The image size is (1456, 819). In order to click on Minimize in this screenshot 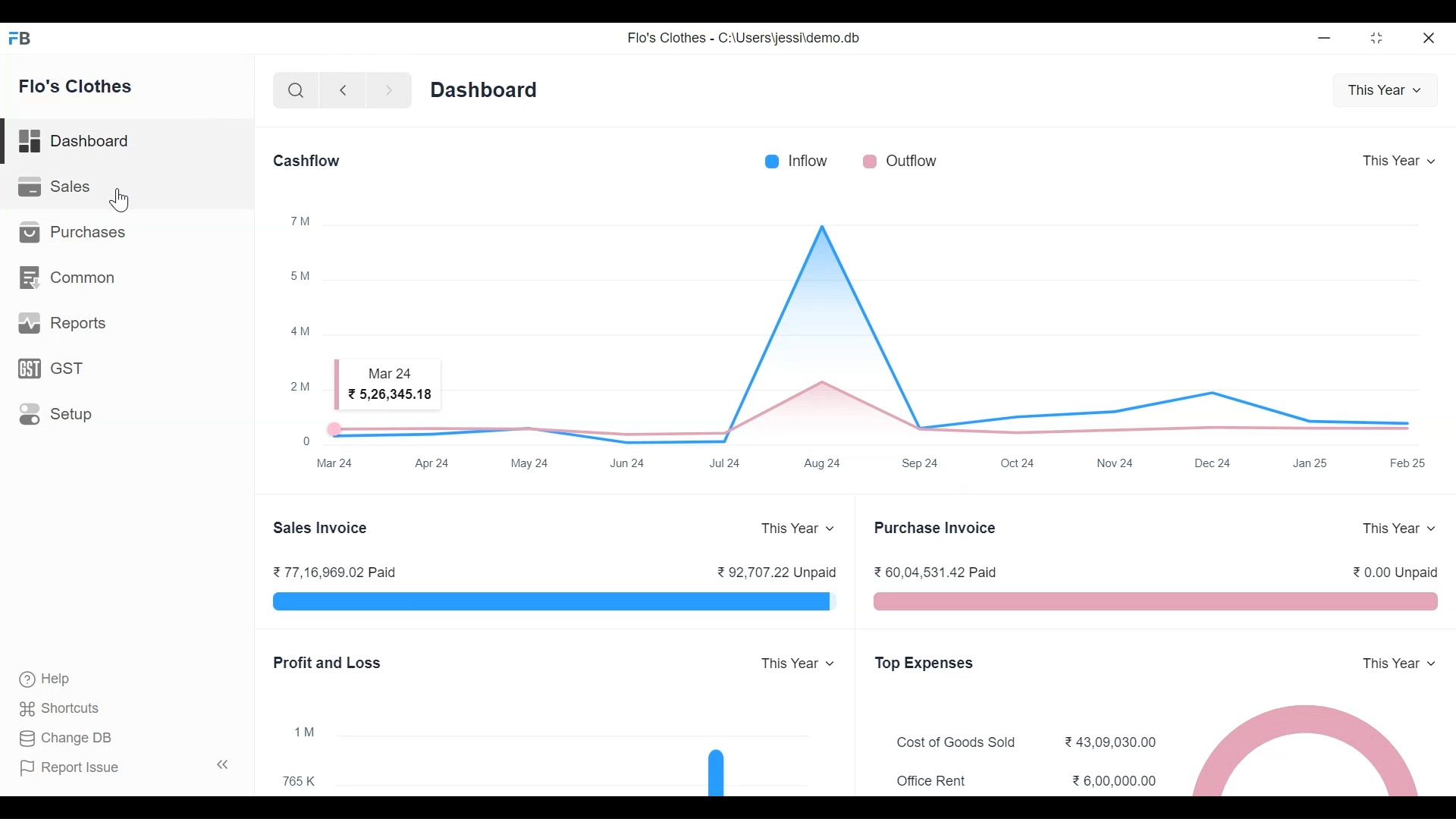, I will do `click(1325, 39)`.